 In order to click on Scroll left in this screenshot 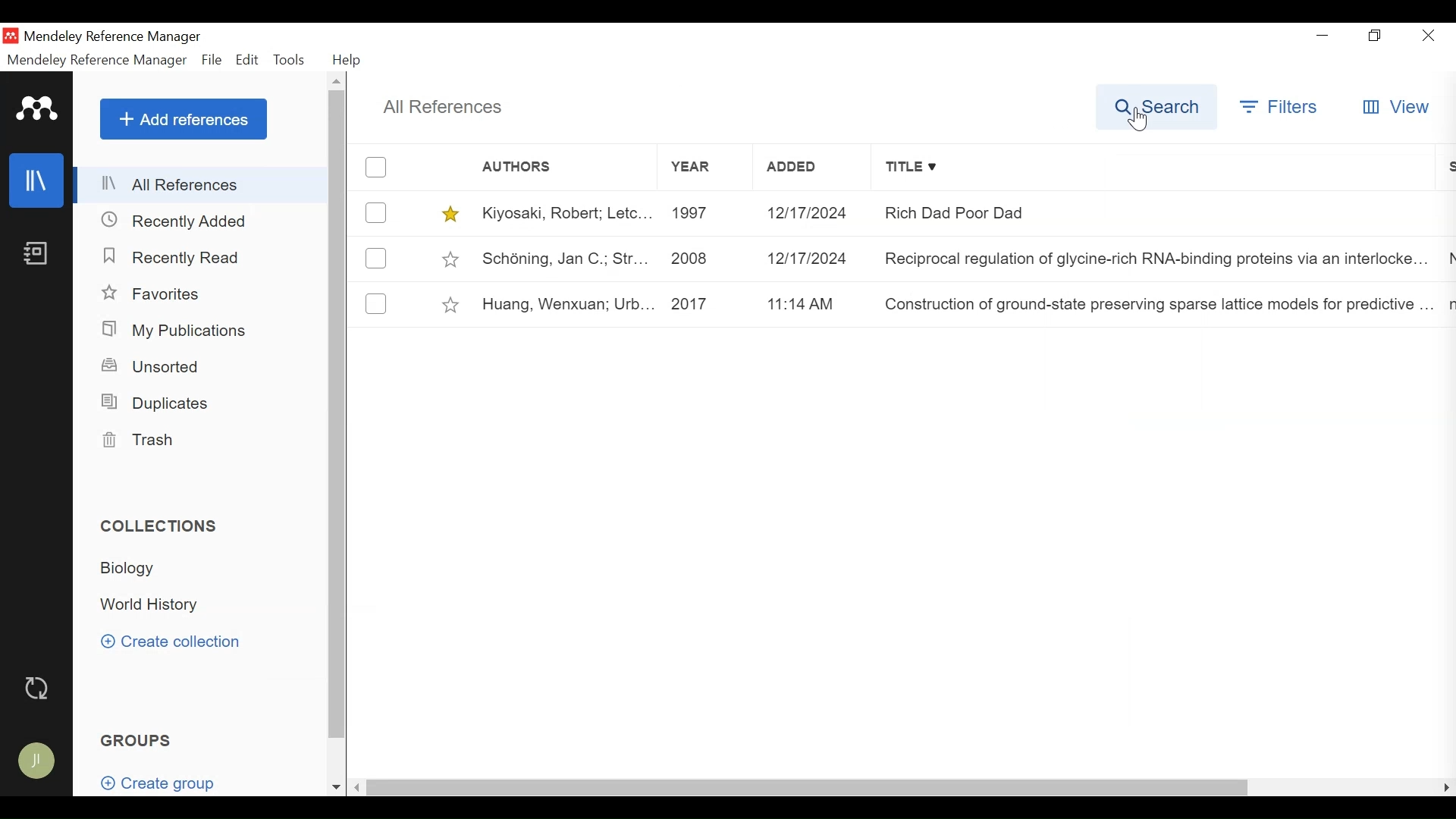, I will do `click(358, 788)`.